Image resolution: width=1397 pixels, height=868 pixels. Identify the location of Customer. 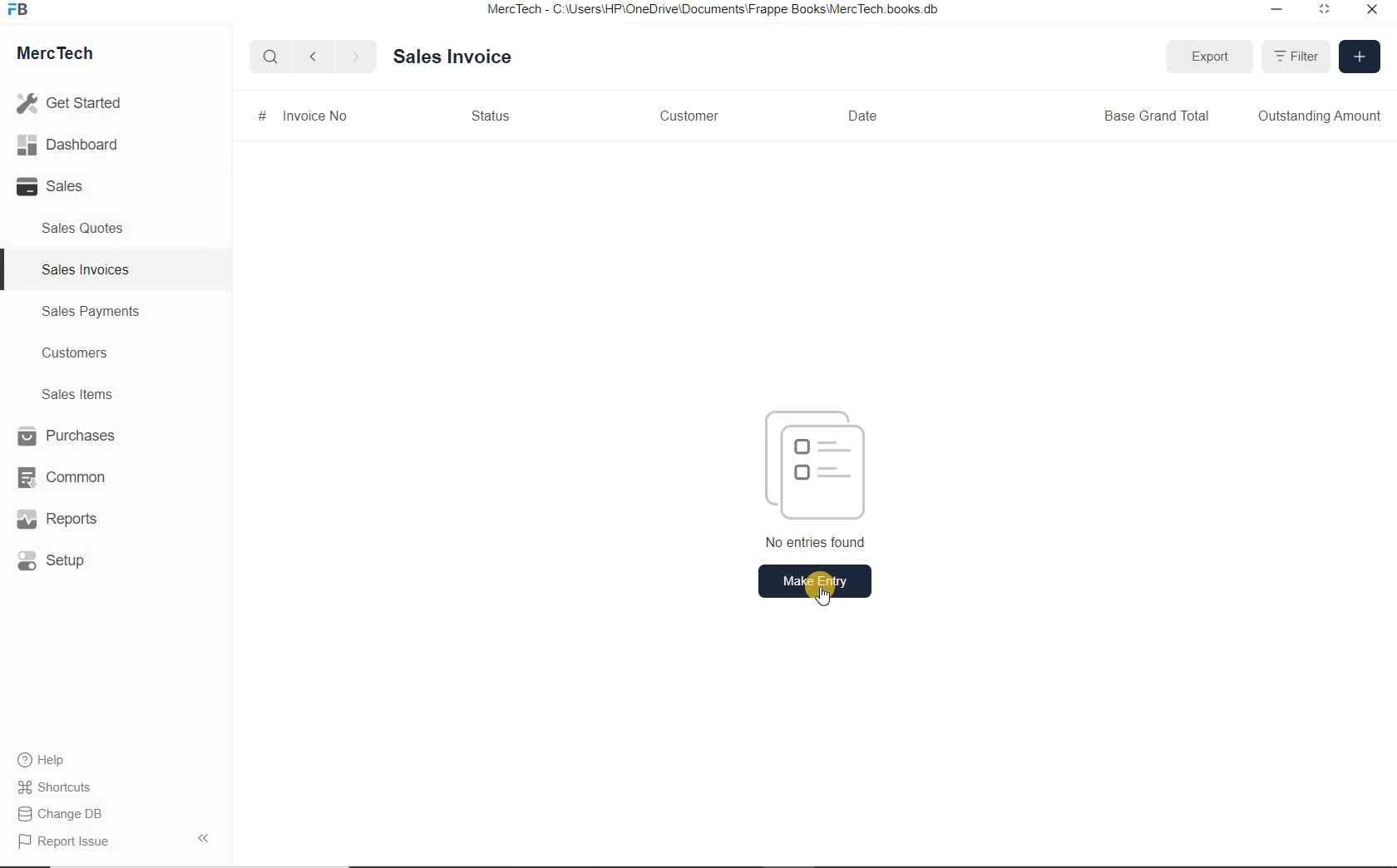
(686, 116).